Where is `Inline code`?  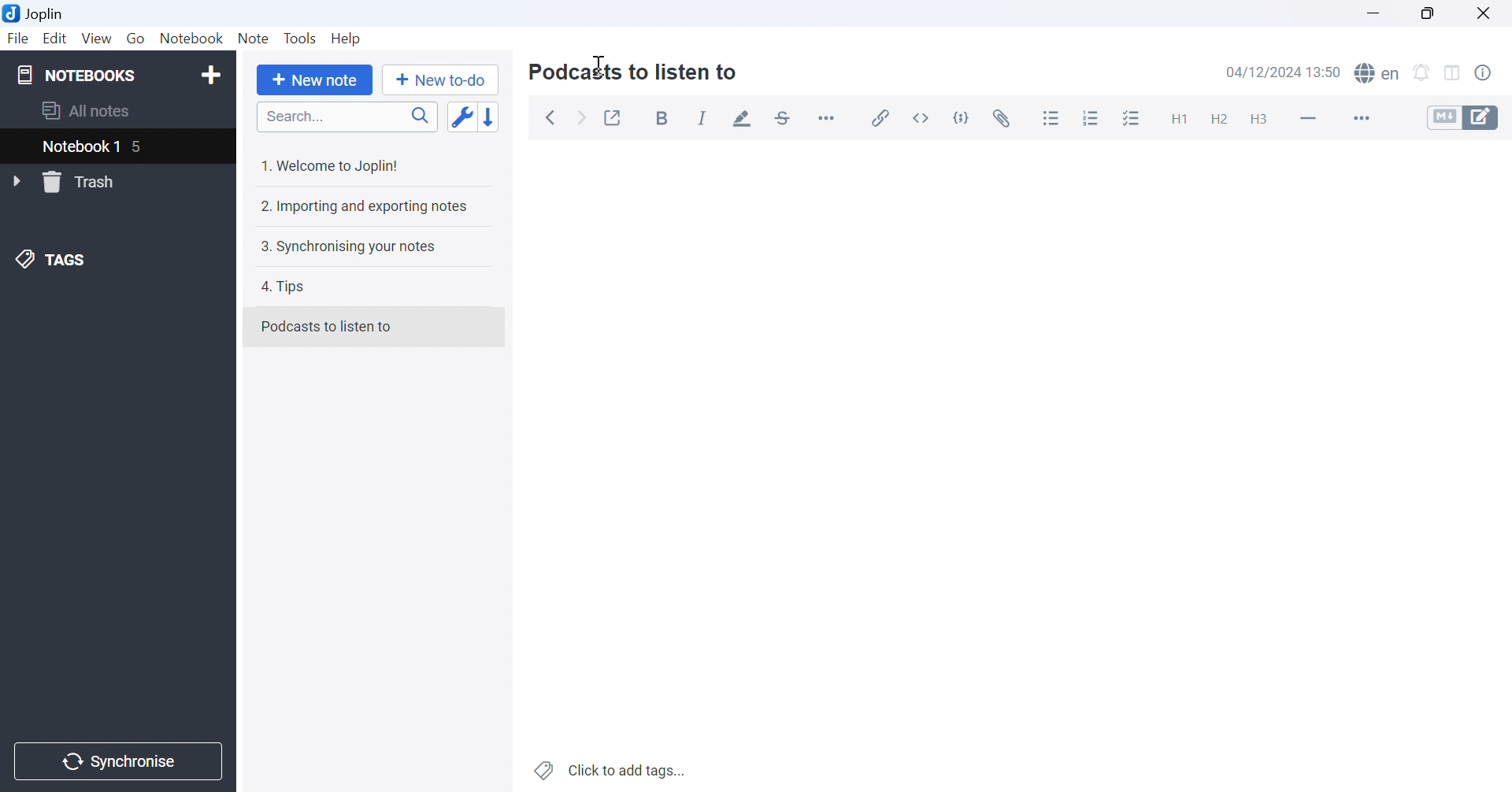 Inline code is located at coordinates (925, 117).